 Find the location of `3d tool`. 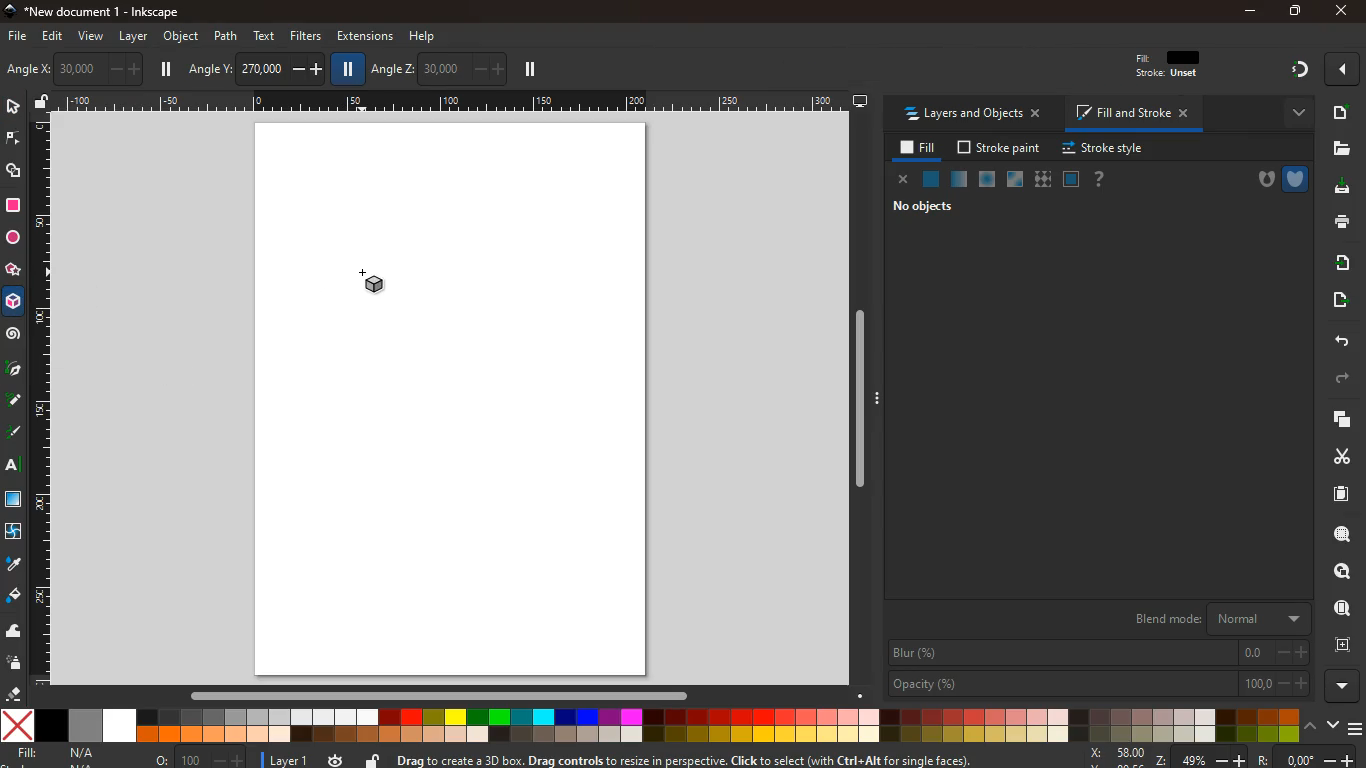

3d tool is located at coordinates (15, 305).